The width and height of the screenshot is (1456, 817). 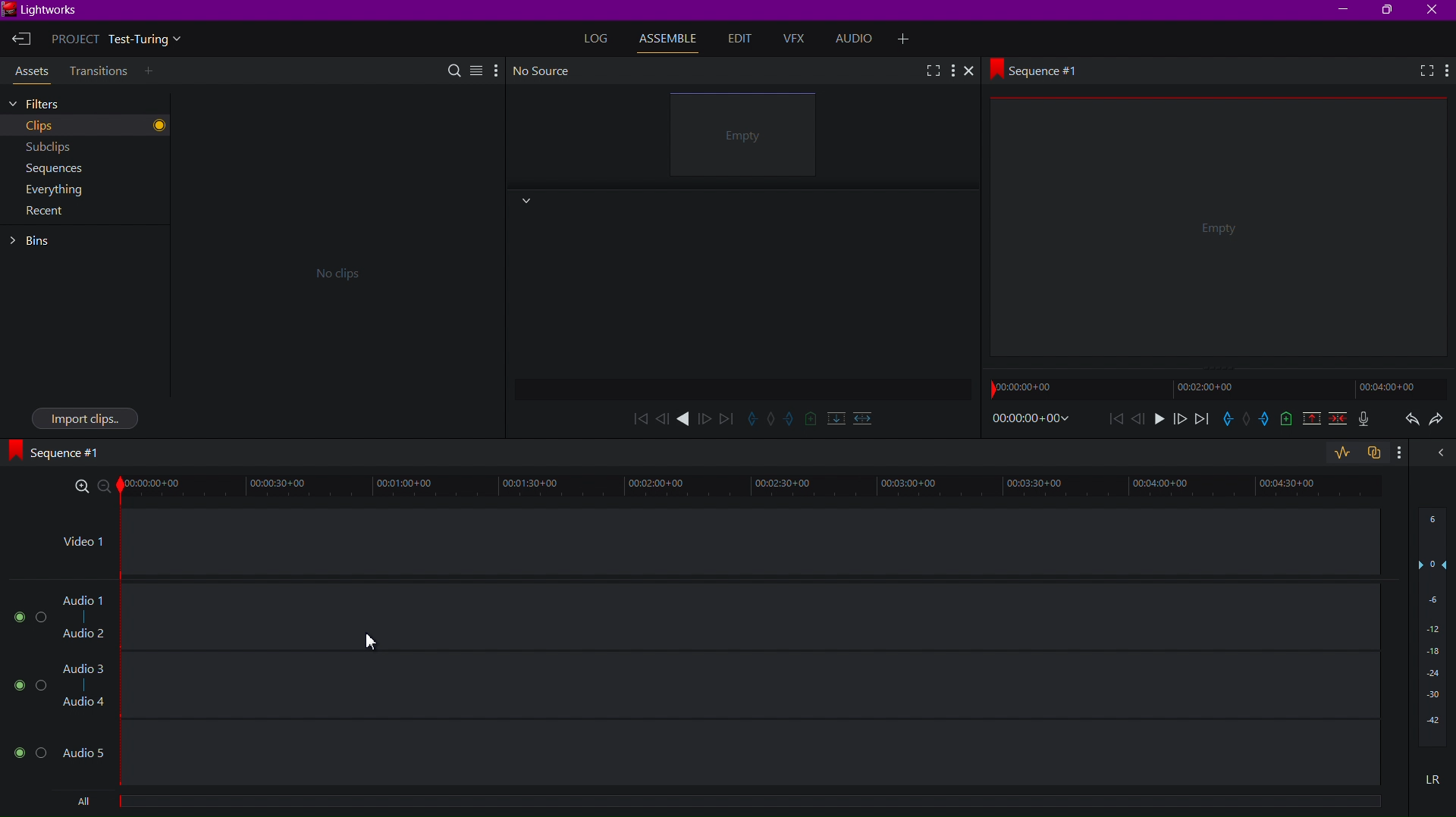 What do you see at coordinates (45, 215) in the screenshot?
I see `Recent` at bounding box center [45, 215].